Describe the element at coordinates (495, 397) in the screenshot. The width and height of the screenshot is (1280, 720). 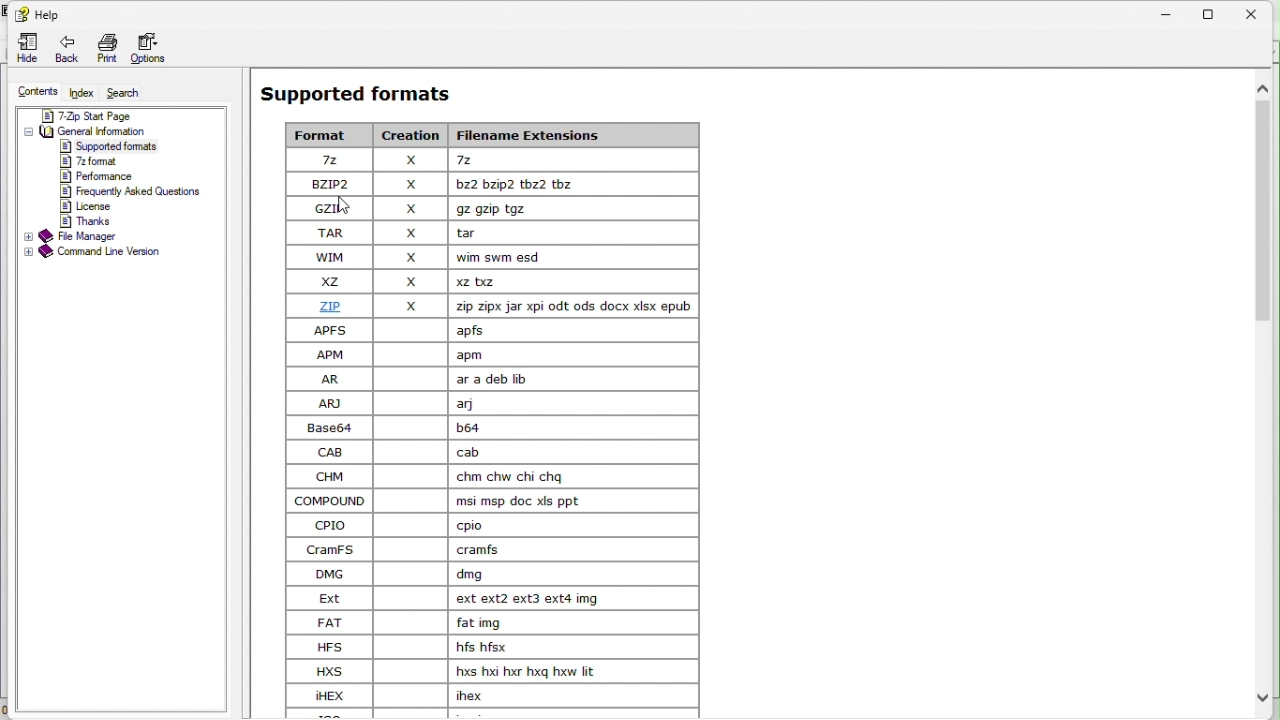
I see `Supported formats
l= [ x [= |
[ozez | x [ombmetzwe |
Lek |x Teepe
[me | x Jo
[we | x [wmswmesa |
Loe |x ewe
[ze [x [a oper oot ods docx xox epub |
[owes | Tae
[om [fom
[aw | feragww |
[ww | Jao
IEE CR
ICT EE
om | lcmcmwcnicna |
[como | [mmpawermpmt |
[oo | Jeo
canes | leans
[owe [fame
[ee | [etewewewm |
[rar [ferme ~~]
[ws | ose
[ws | [hominomamuie |
[owe [fee` at that location.